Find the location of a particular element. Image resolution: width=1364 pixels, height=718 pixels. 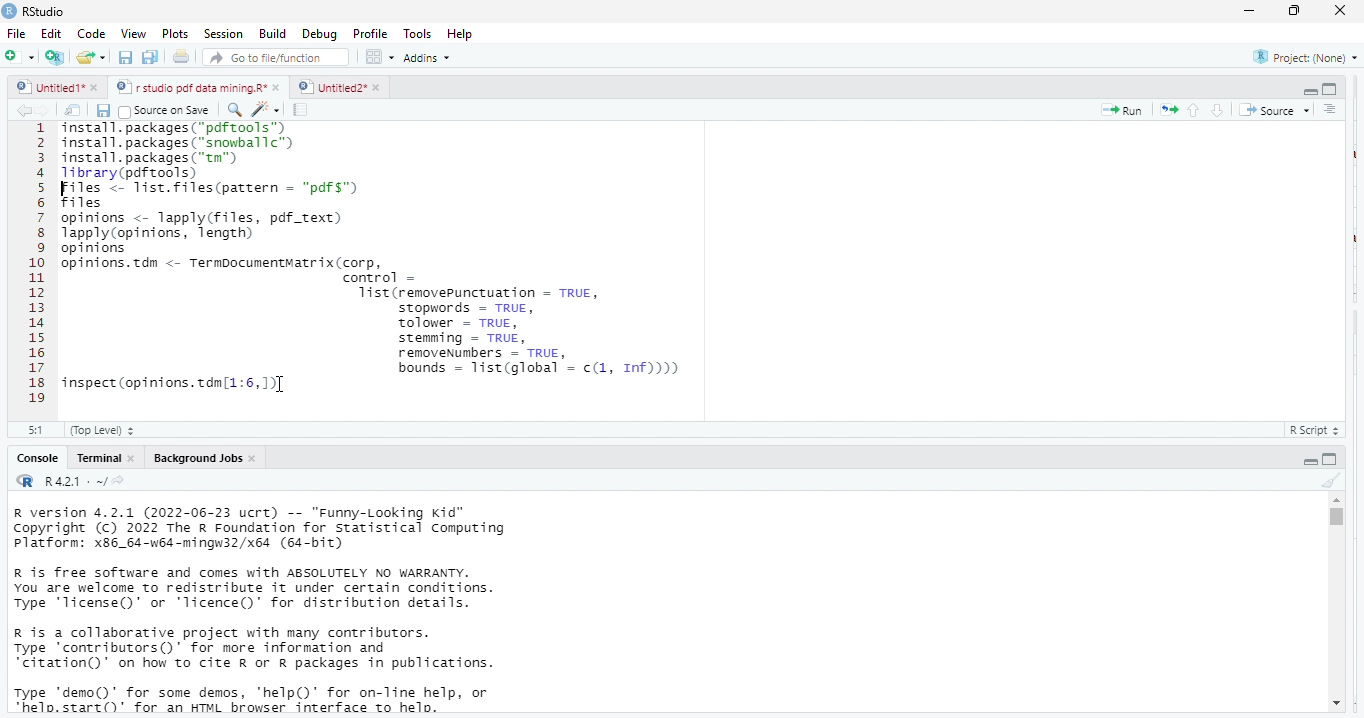

maximize is located at coordinates (1297, 12).